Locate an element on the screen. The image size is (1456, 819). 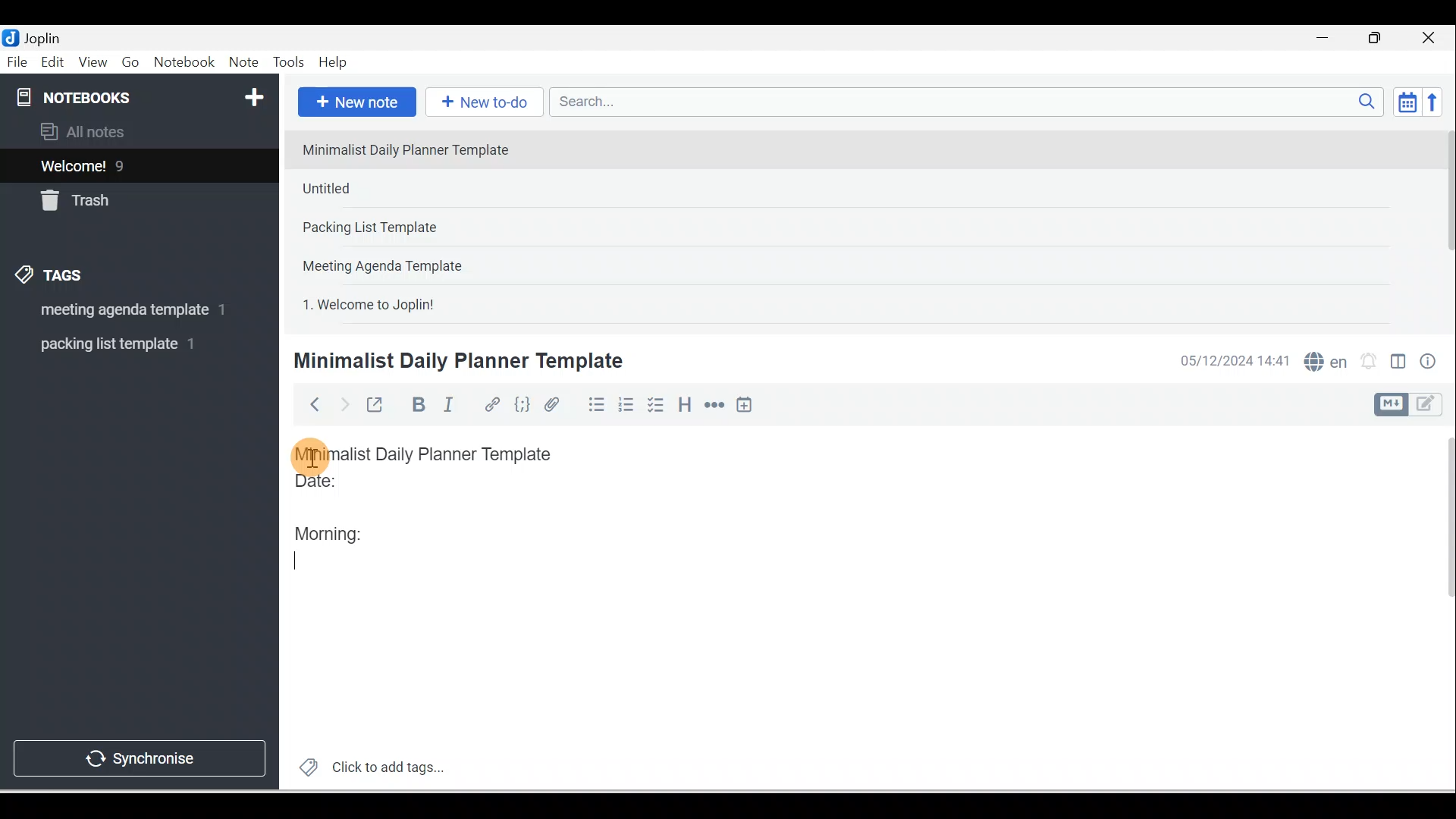
Synchronise is located at coordinates (138, 755).